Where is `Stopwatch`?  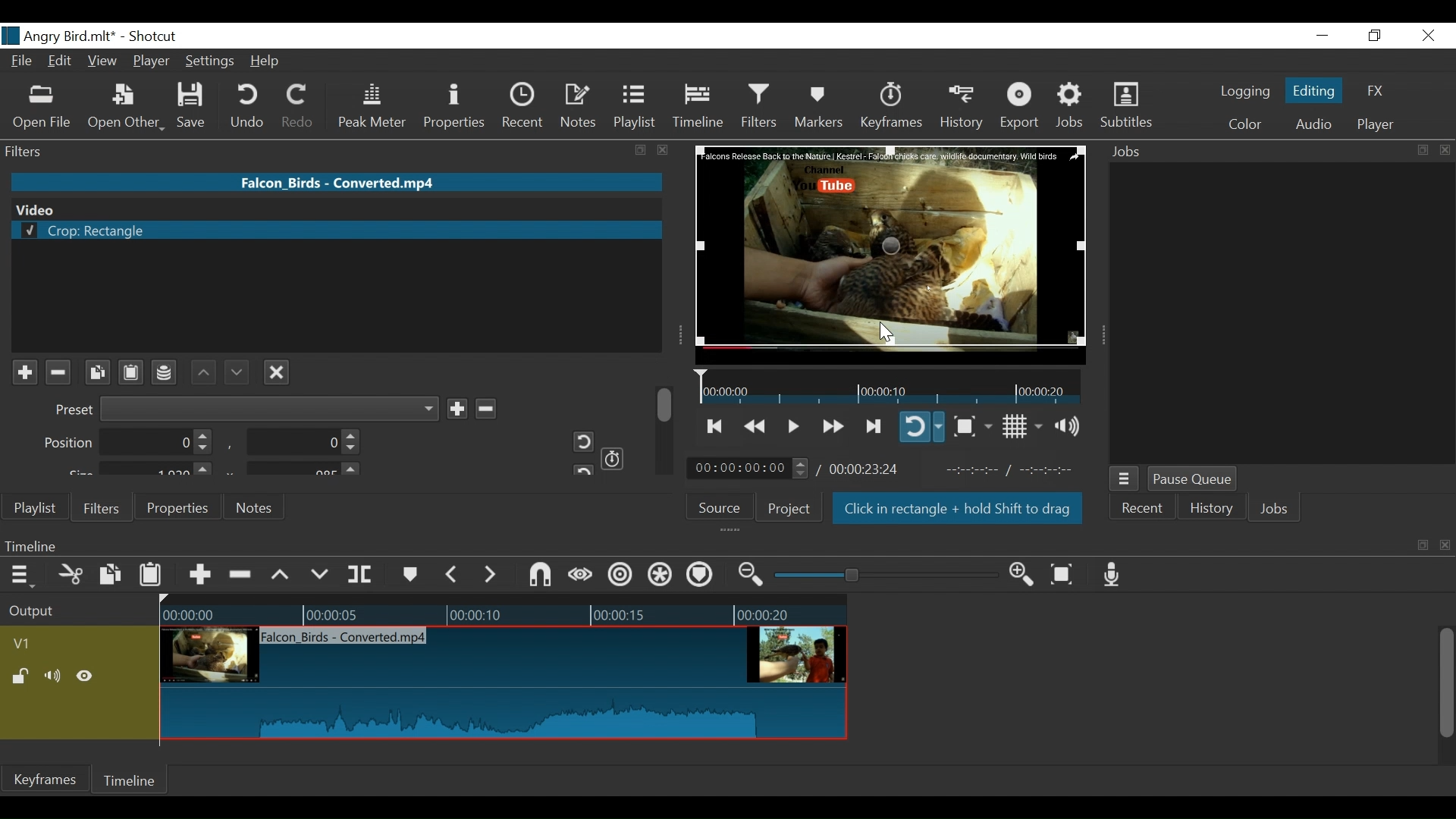
Stopwatch is located at coordinates (613, 457).